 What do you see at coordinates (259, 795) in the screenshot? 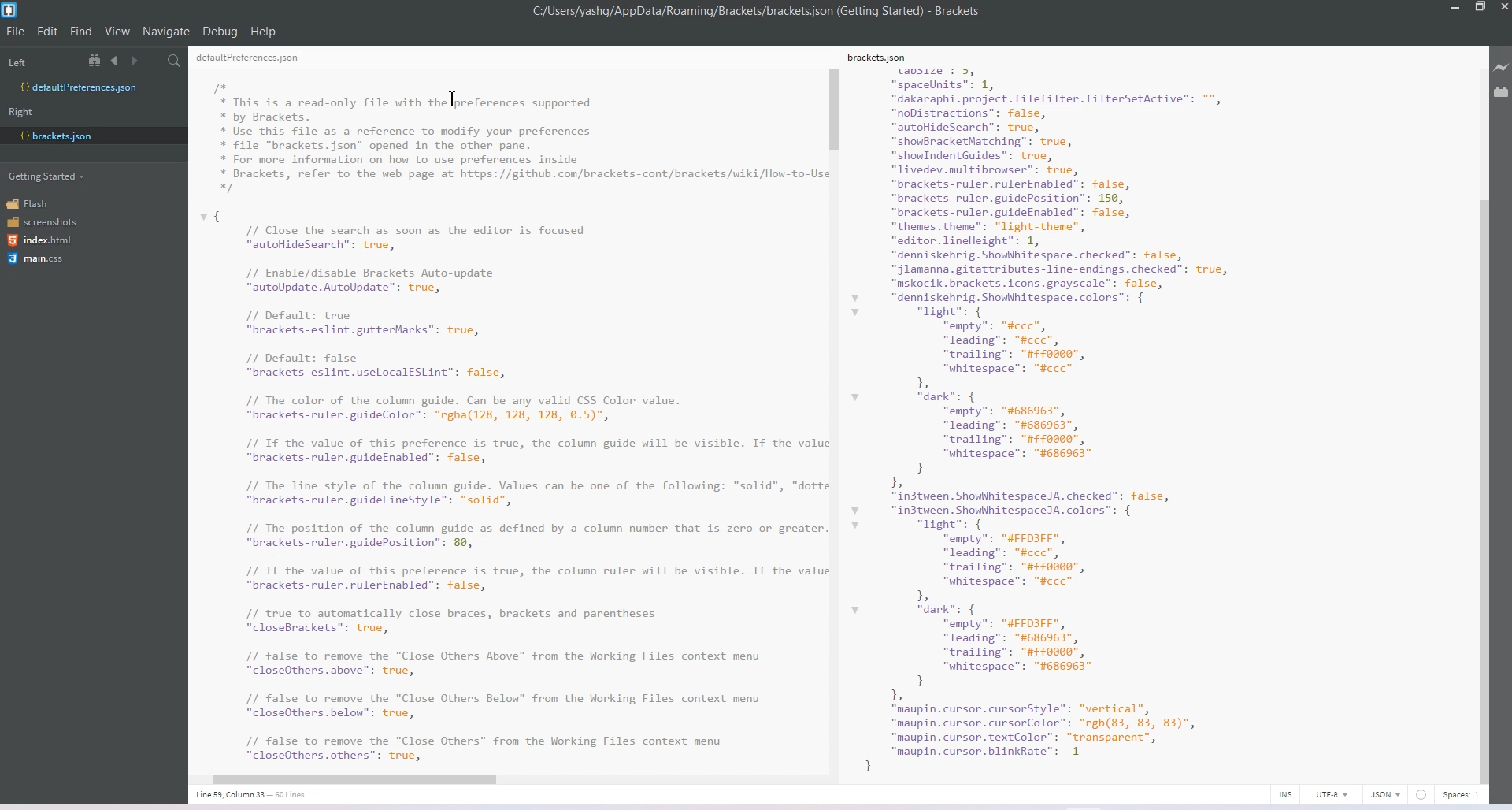
I see `Line 36, Column 13- 60 lines` at bounding box center [259, 795].